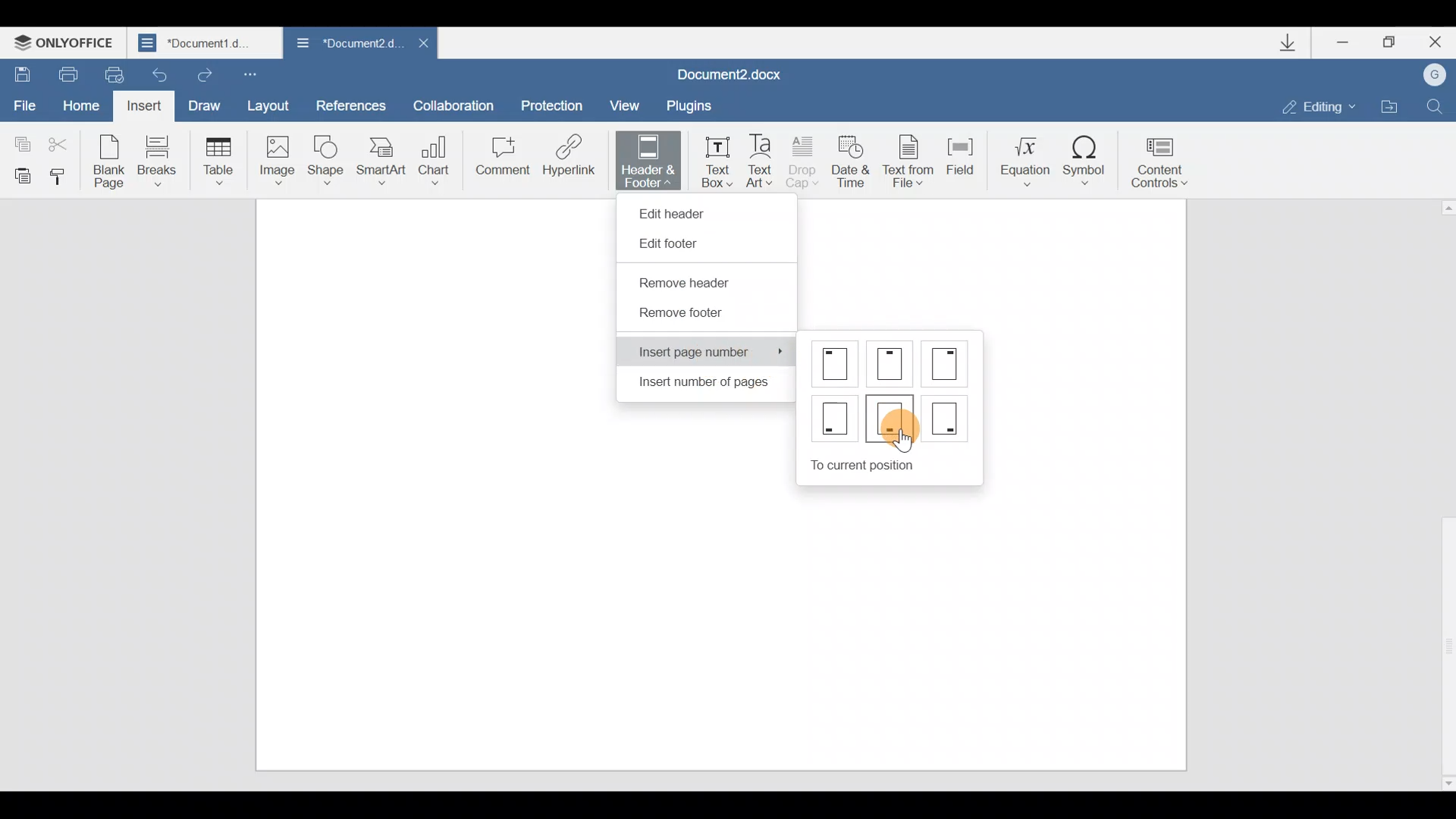  Describe the element at coordinates (836, 363) in the screenshot. I see `Position 1` at that location.